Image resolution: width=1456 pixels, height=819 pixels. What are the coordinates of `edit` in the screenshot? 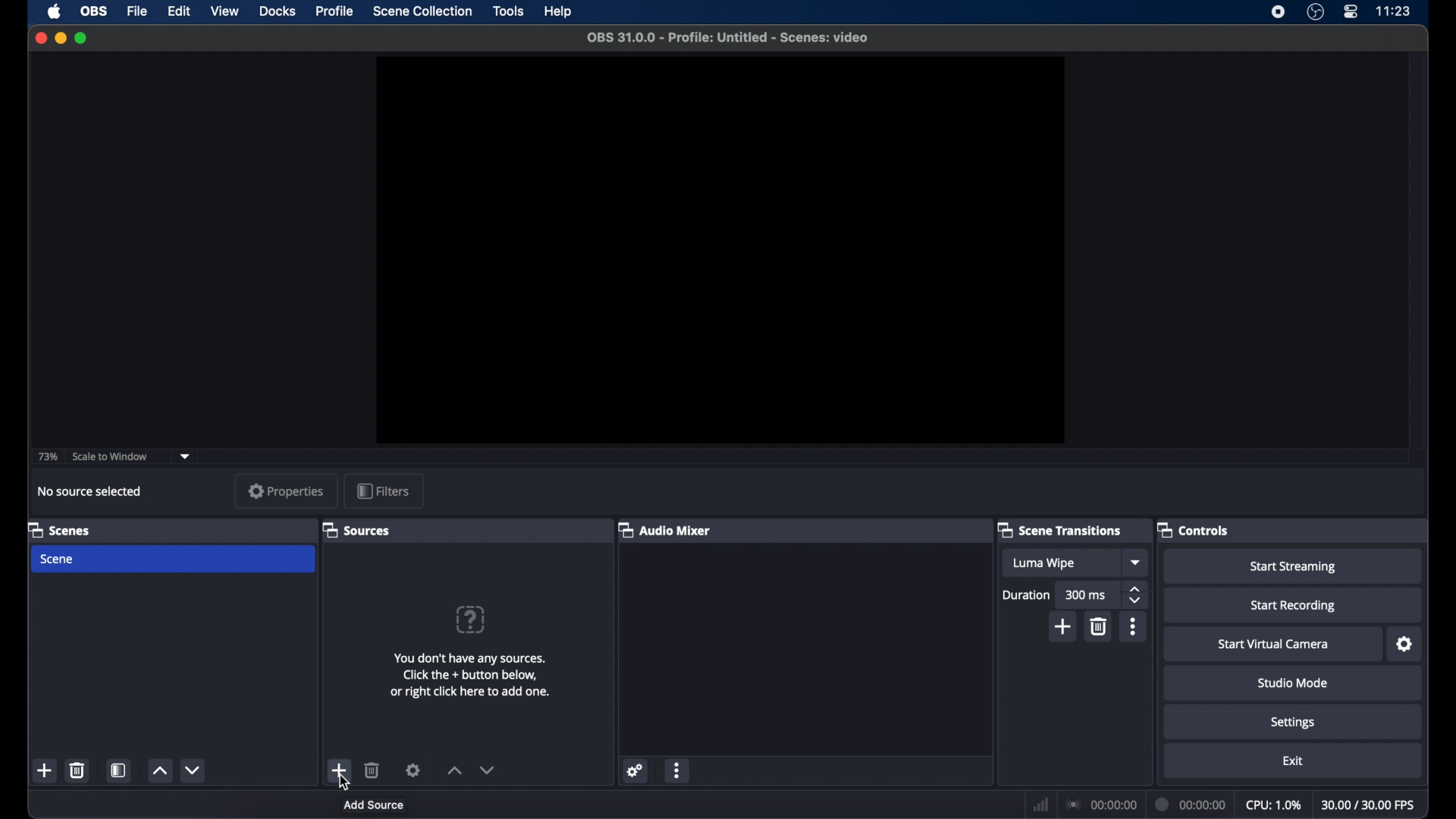 It's located at (178, 11).